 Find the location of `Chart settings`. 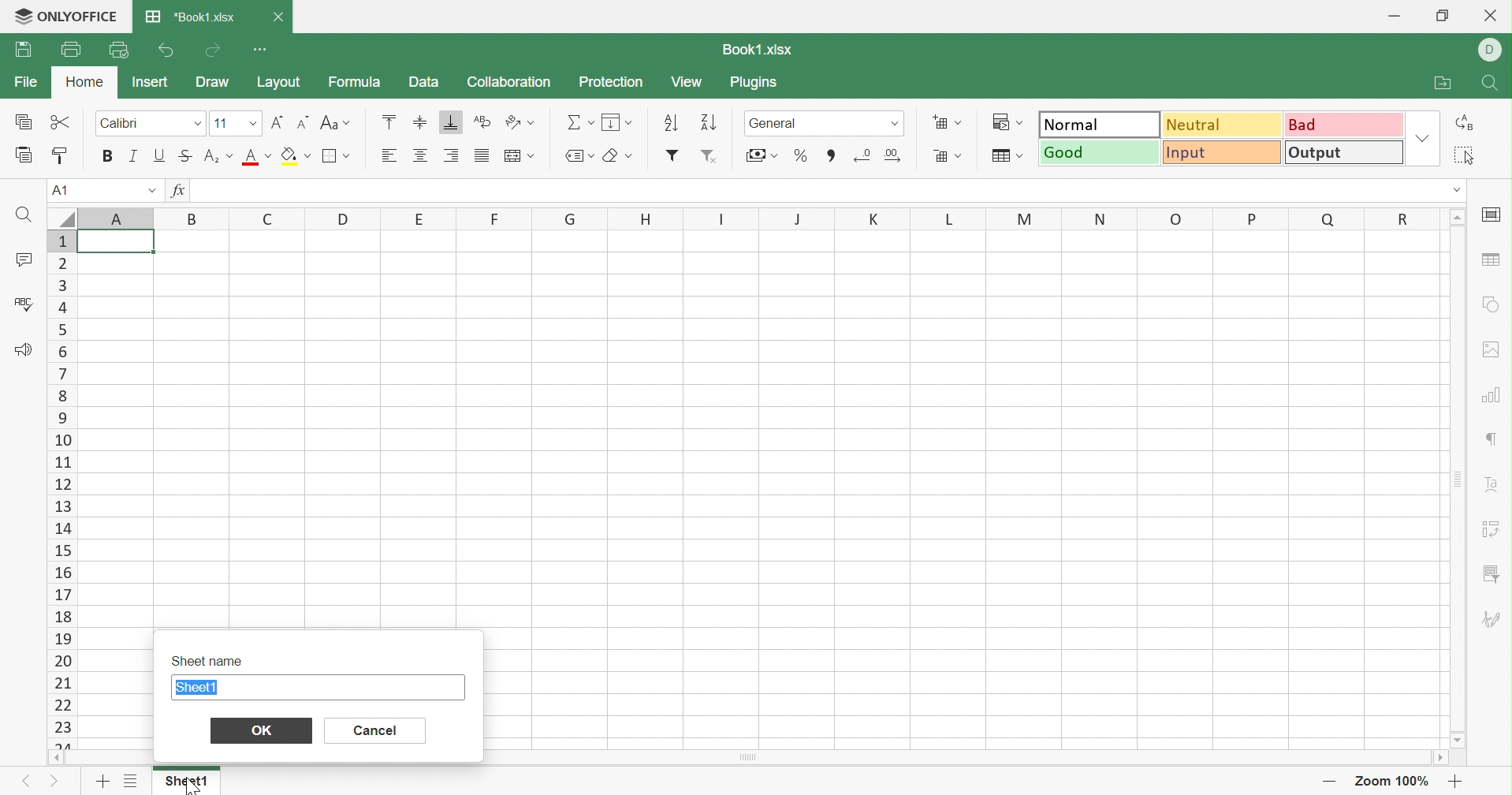

Chart settings is located at coordinates (1492, 397).